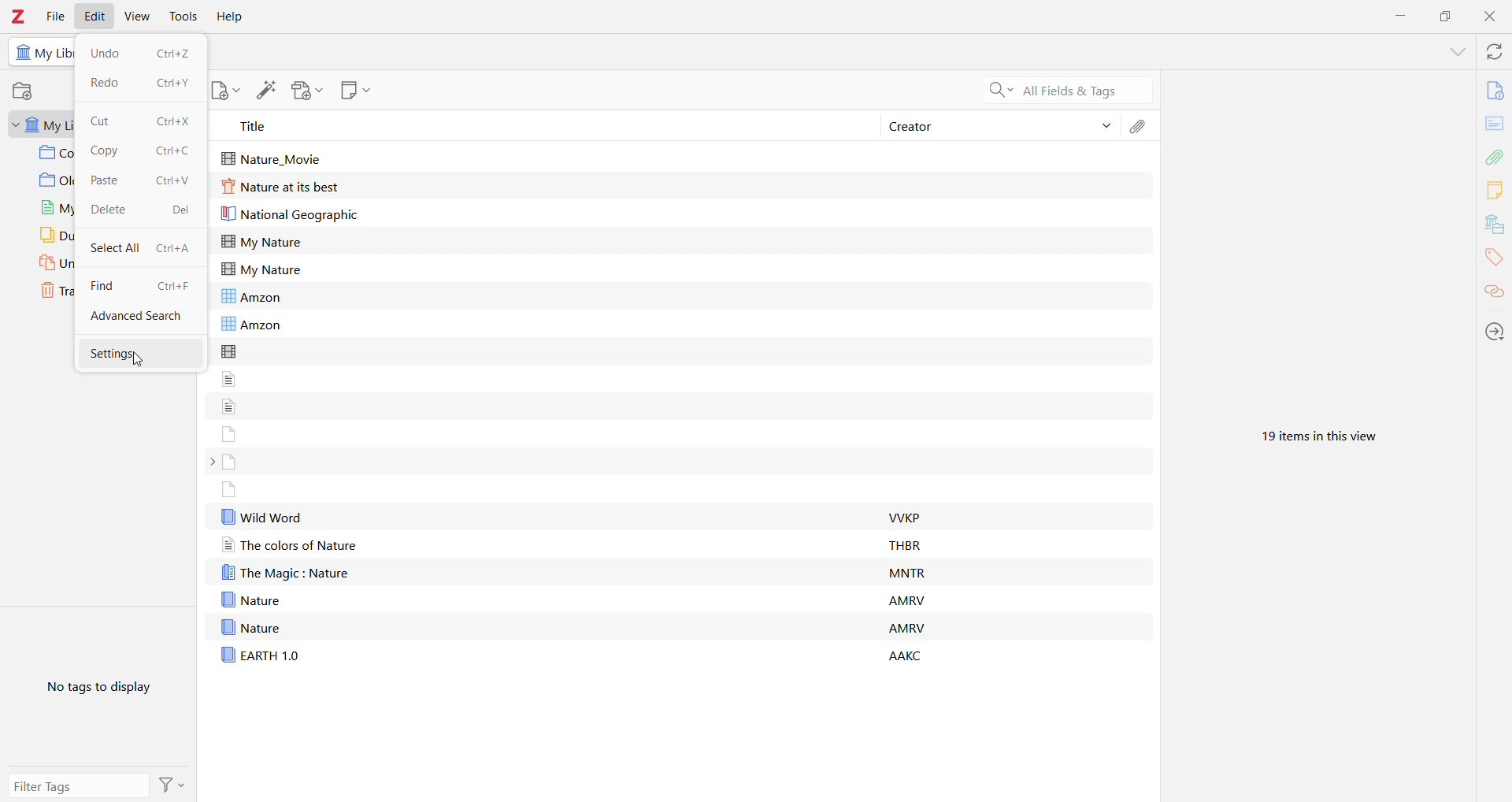 The height and width of the screenshot is (802, 1512). What do you see at coordinates (109, 283) in the screenshot?
I see `Find` at bounding box center [109, 283].